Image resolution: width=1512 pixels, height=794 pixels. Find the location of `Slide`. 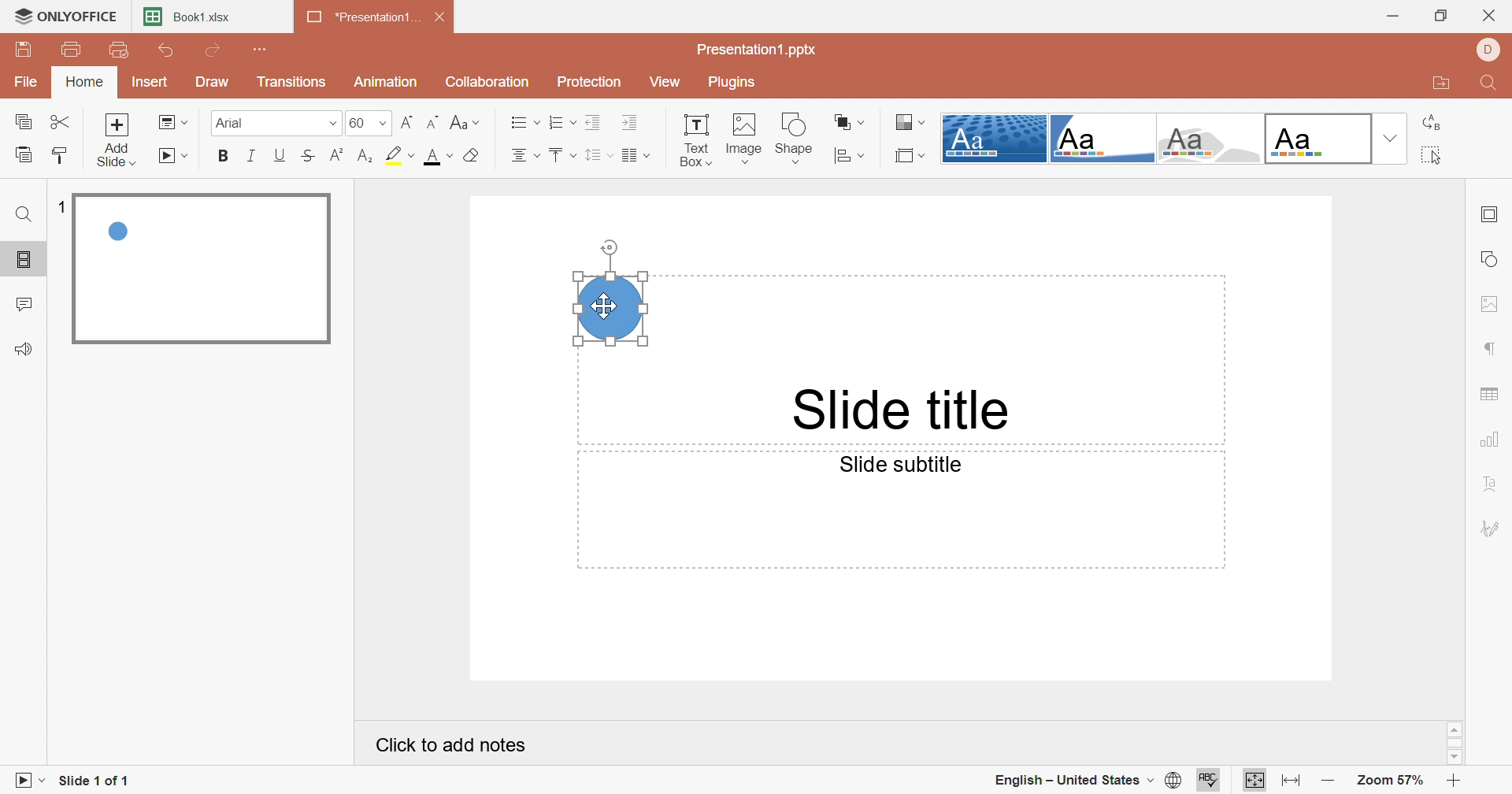

Slide is located at coordinates (202, 270).